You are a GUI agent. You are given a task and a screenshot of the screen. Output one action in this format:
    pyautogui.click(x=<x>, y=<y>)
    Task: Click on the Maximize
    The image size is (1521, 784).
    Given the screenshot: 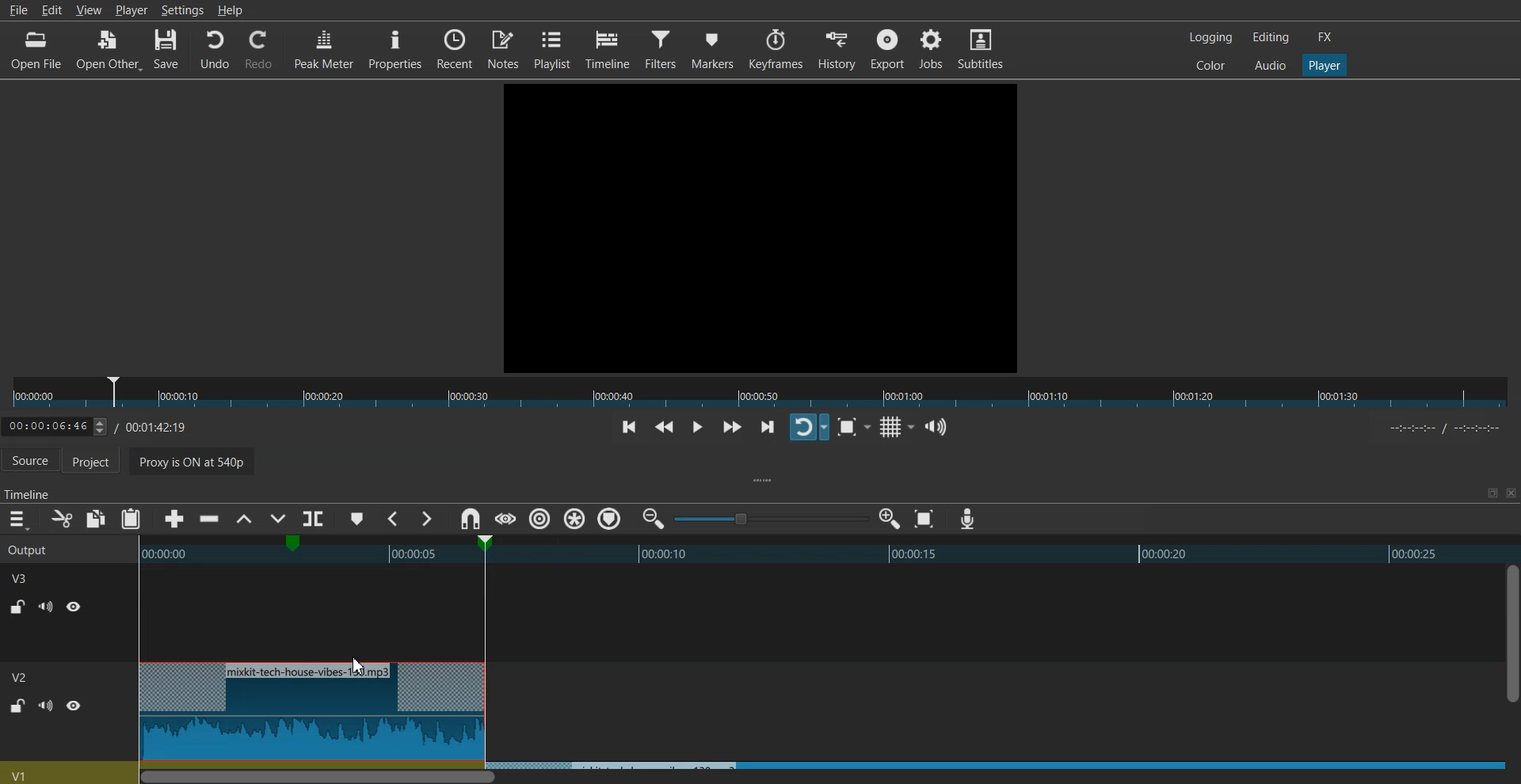 What is the action you would take?
    pyautogui.click(x=1492, y=493)
    